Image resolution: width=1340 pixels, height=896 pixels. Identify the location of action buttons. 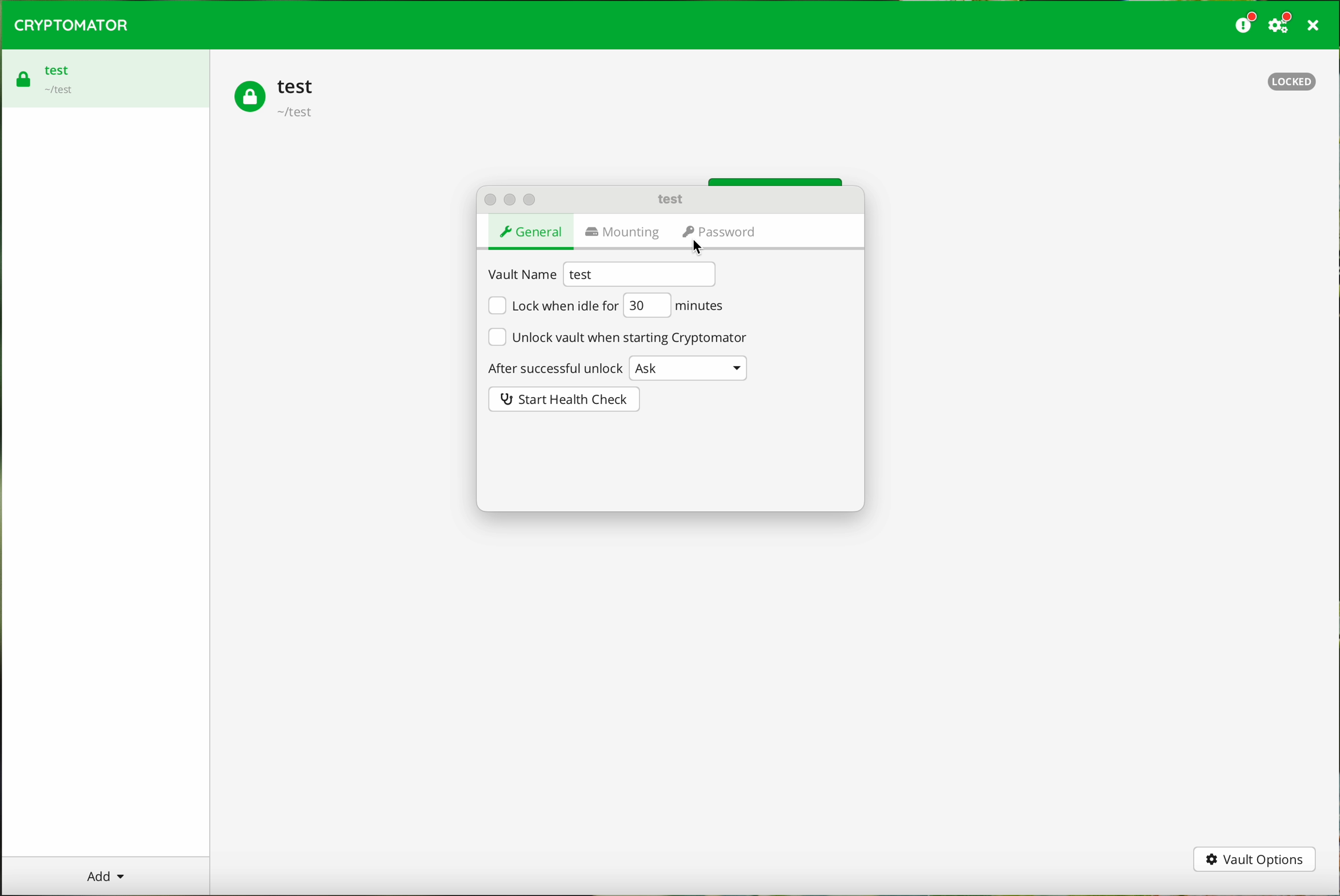
(509, 199).